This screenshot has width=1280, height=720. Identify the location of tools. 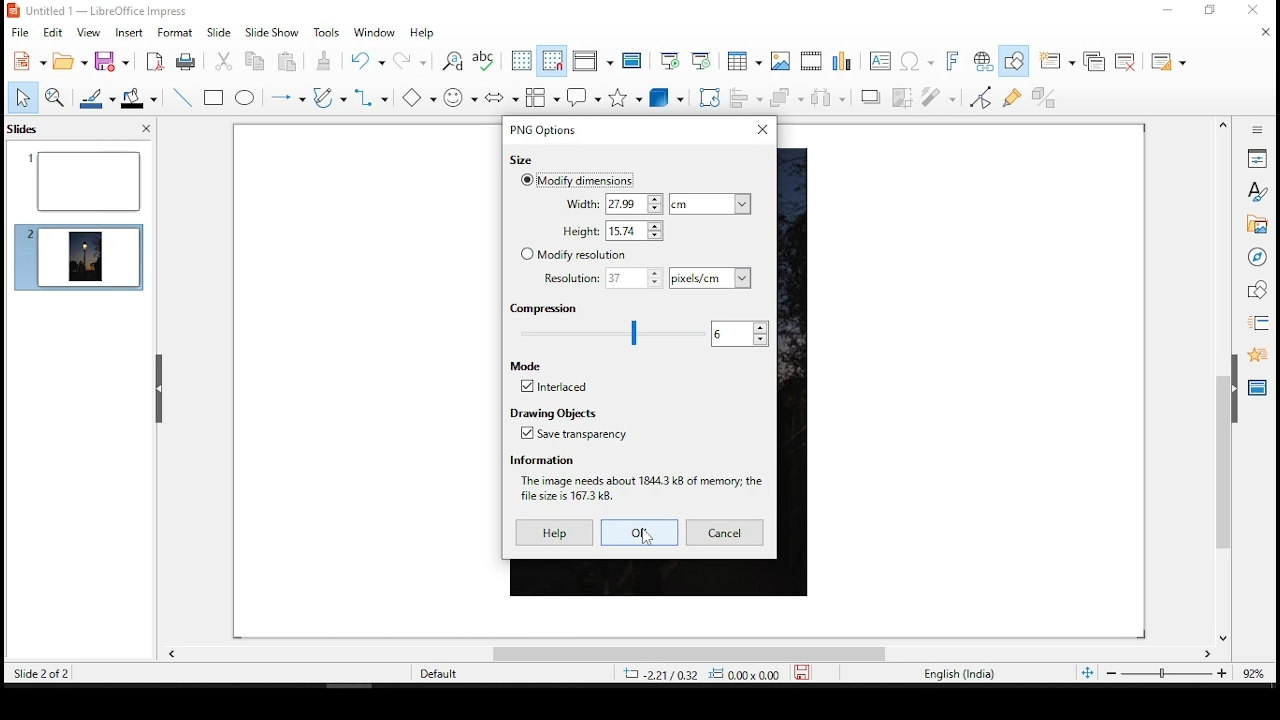
(331, 36).